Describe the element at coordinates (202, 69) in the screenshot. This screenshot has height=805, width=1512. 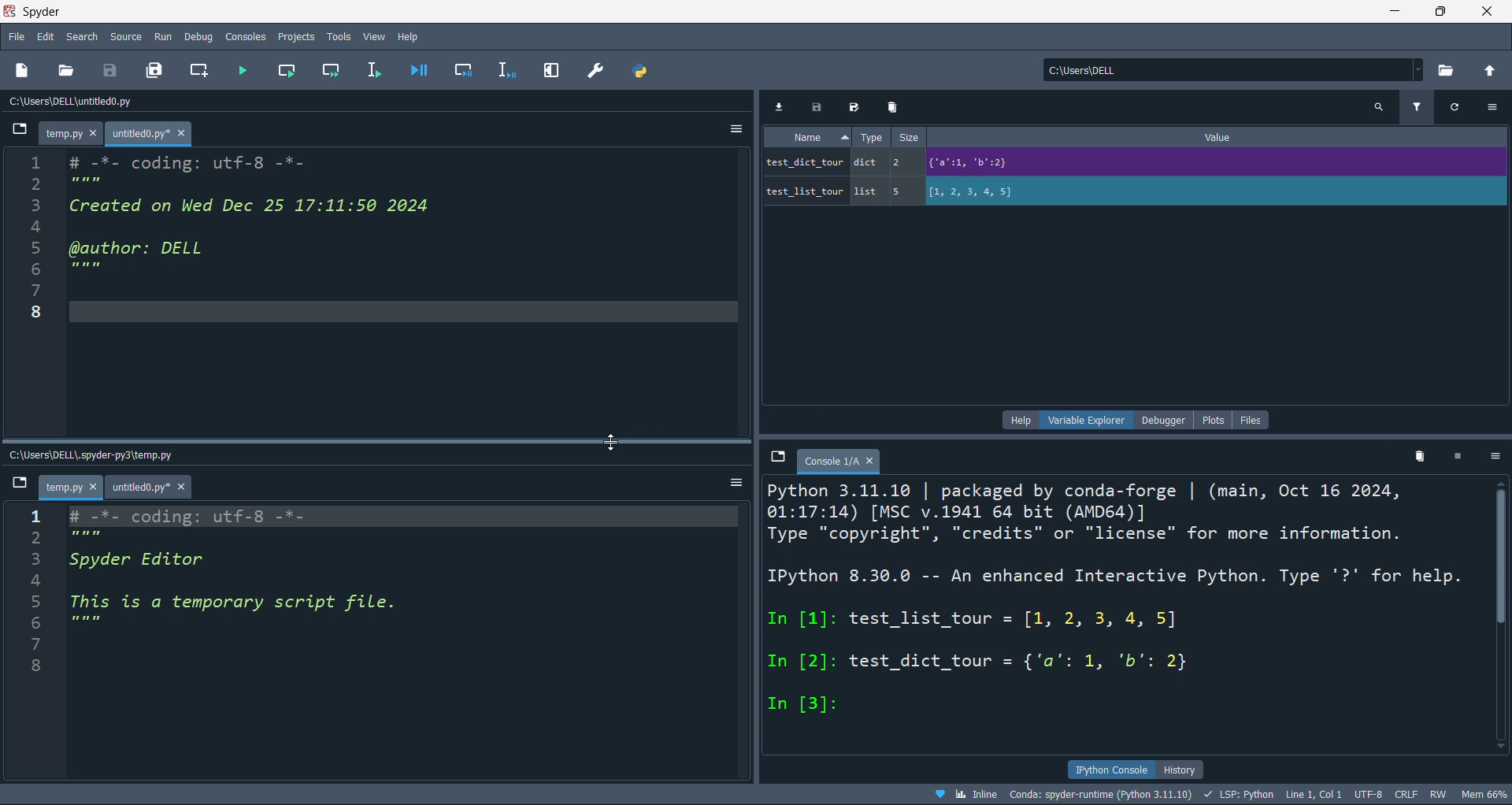
I see `create new cell` at that location.